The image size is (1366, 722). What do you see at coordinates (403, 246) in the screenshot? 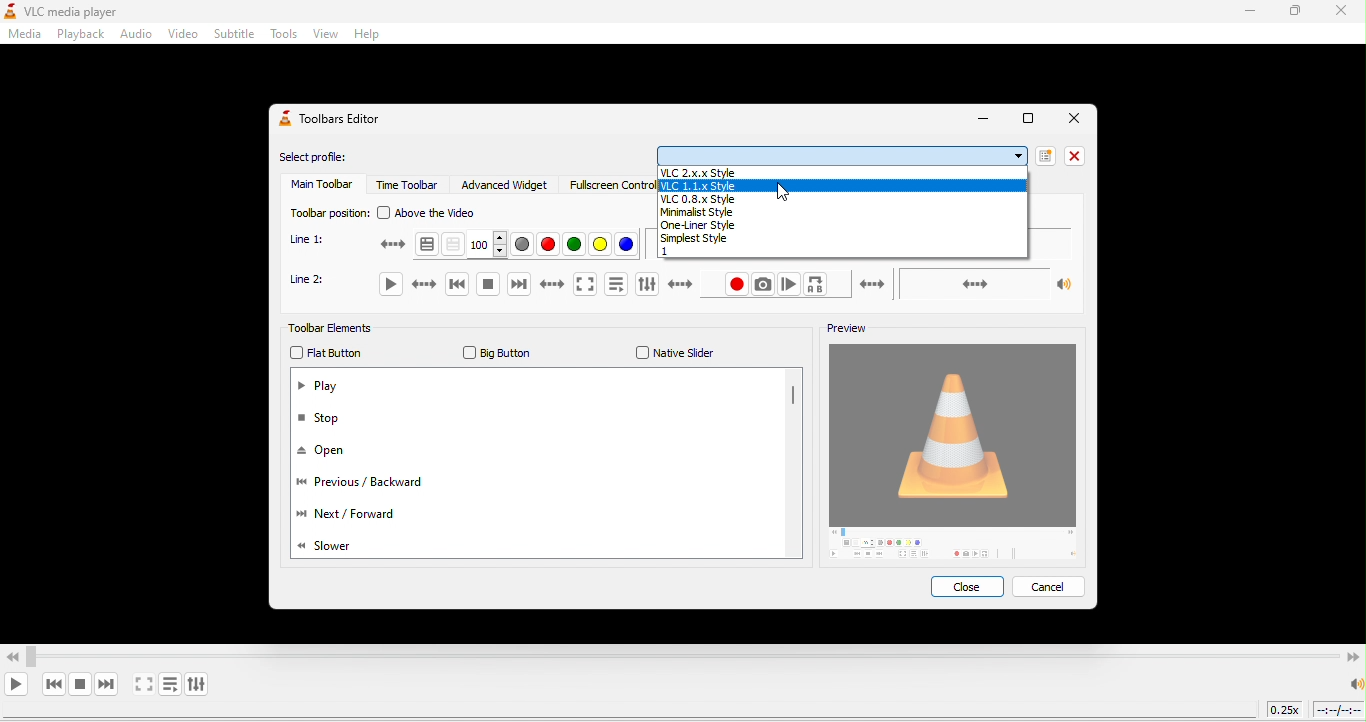
I see `teletext activation` at bounding box center [403, 246].